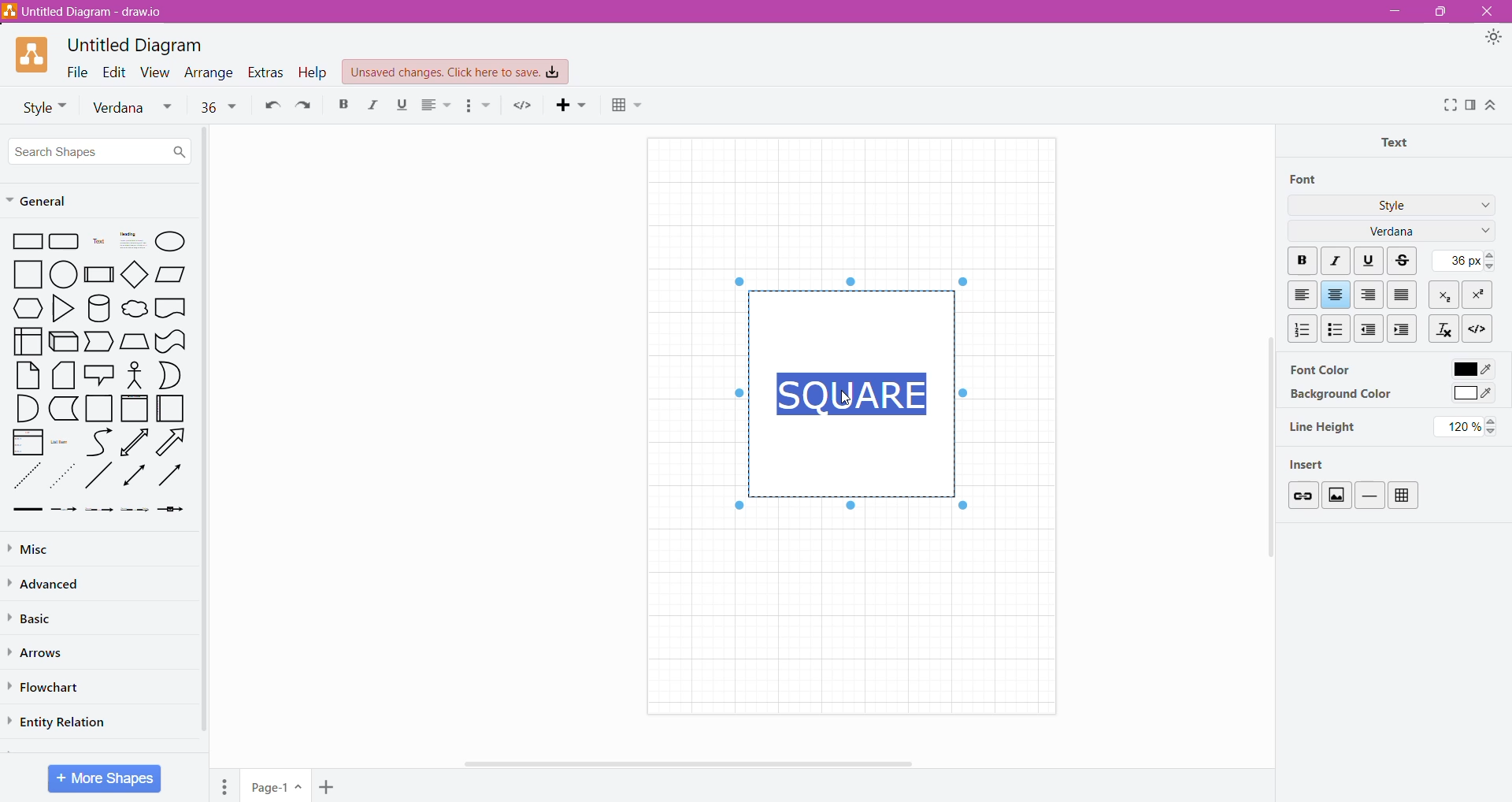  Describe the element at coordinates (225, 786) in the screenshot. I see `Pages` at that location.